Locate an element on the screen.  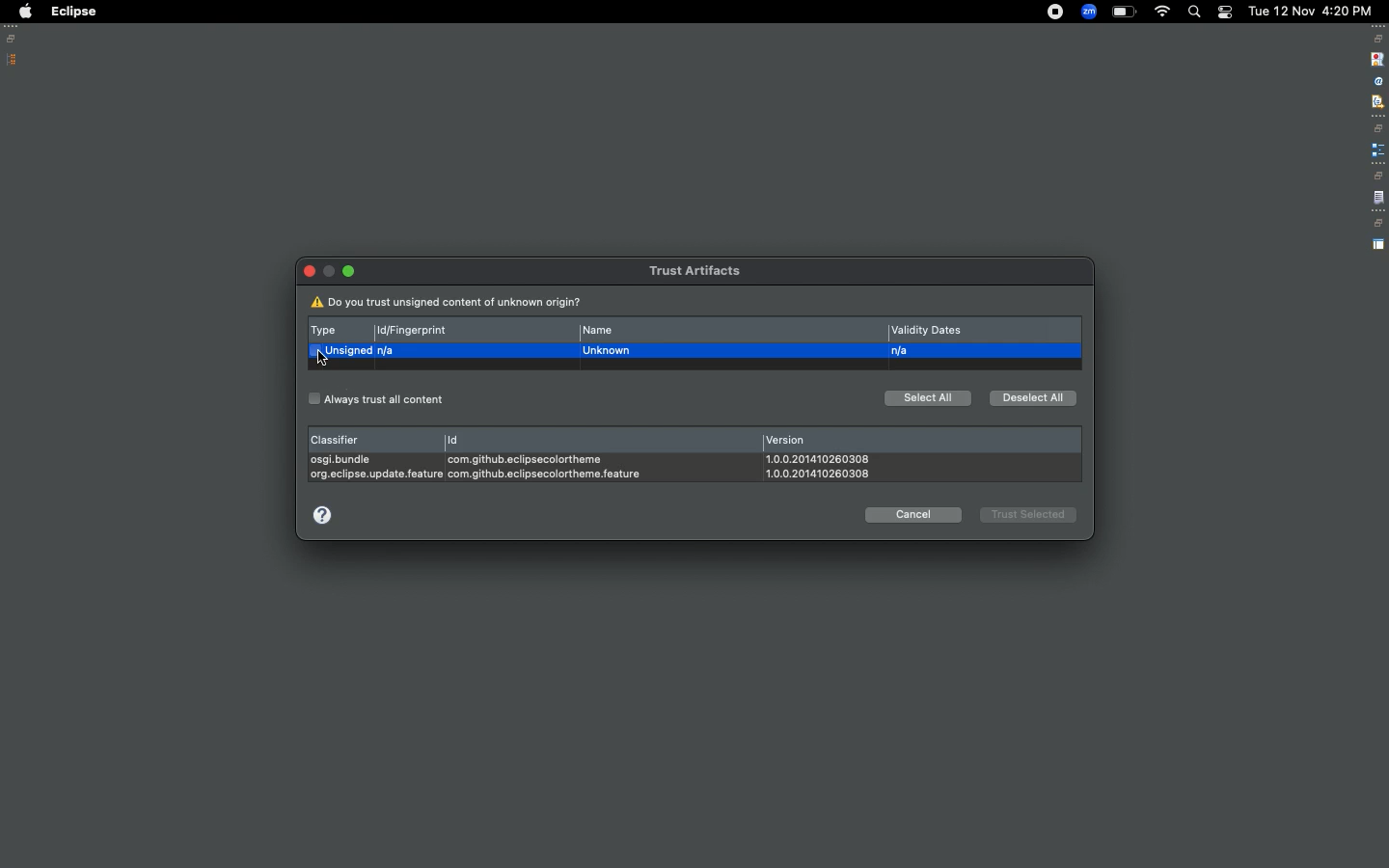
Search is located at coordinates (1193, 12).